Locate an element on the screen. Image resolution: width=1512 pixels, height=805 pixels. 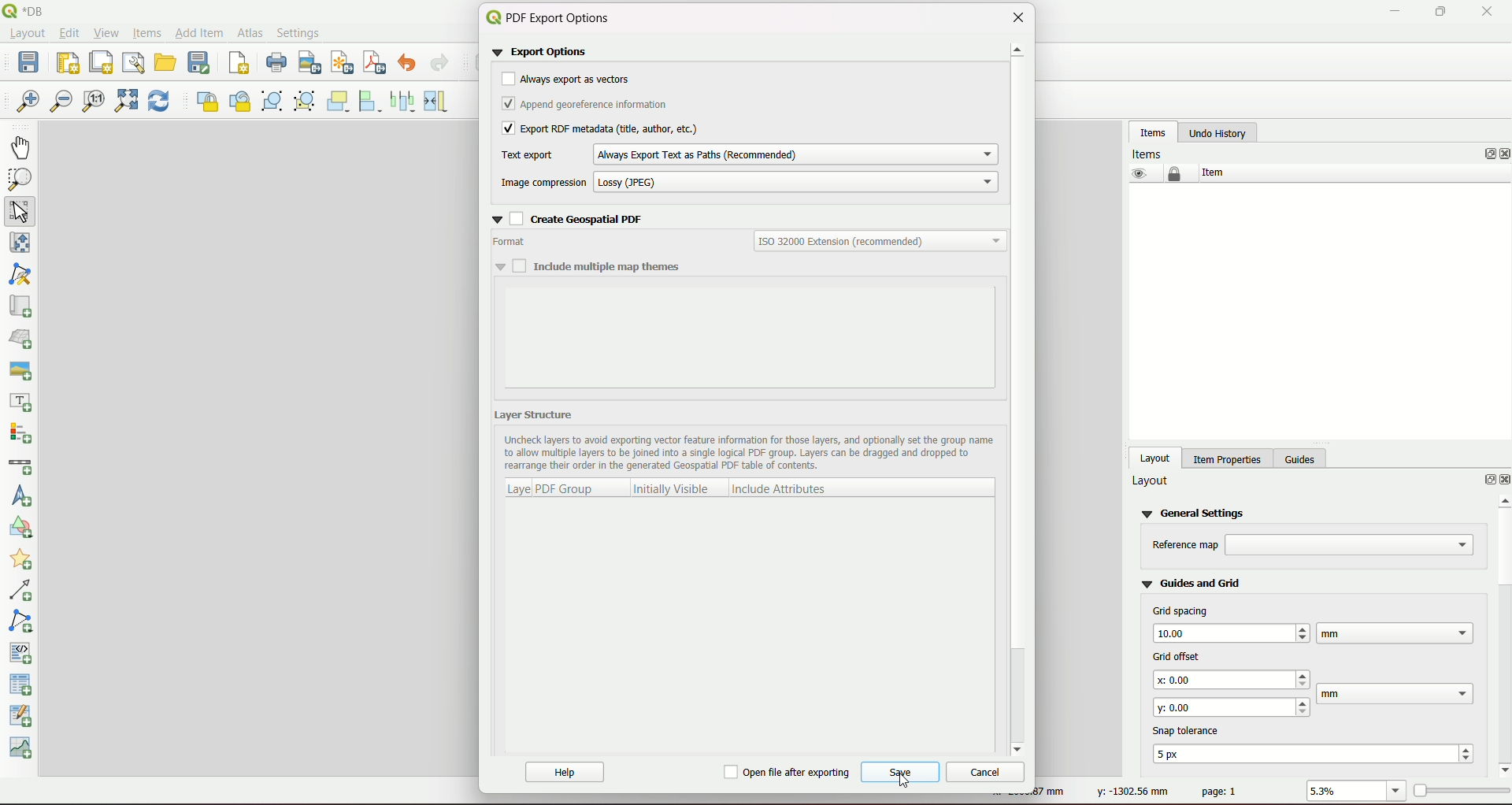
add north arrow is located at coordinates (24, 497).